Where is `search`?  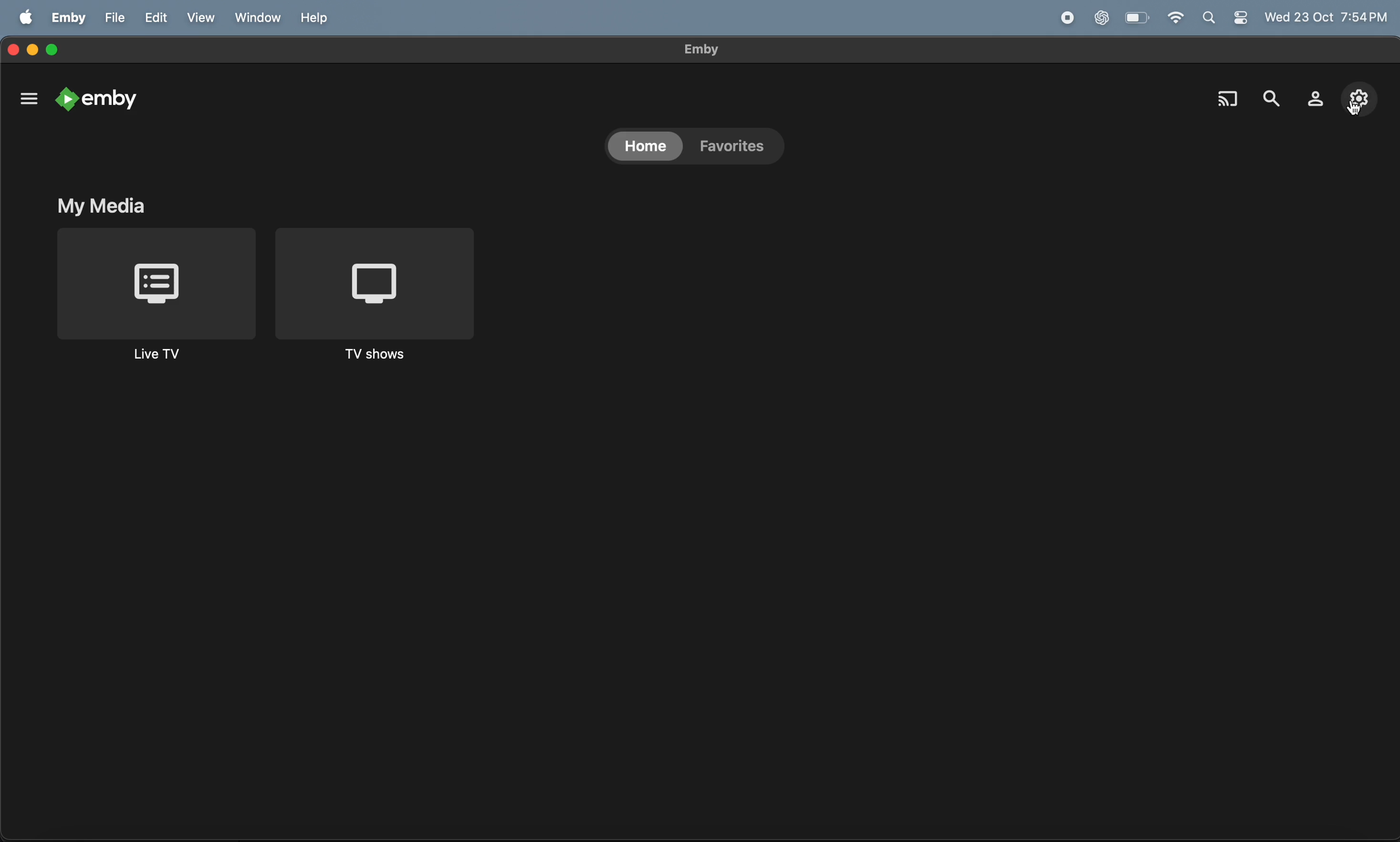 search is located at coordinates (1271, 94).